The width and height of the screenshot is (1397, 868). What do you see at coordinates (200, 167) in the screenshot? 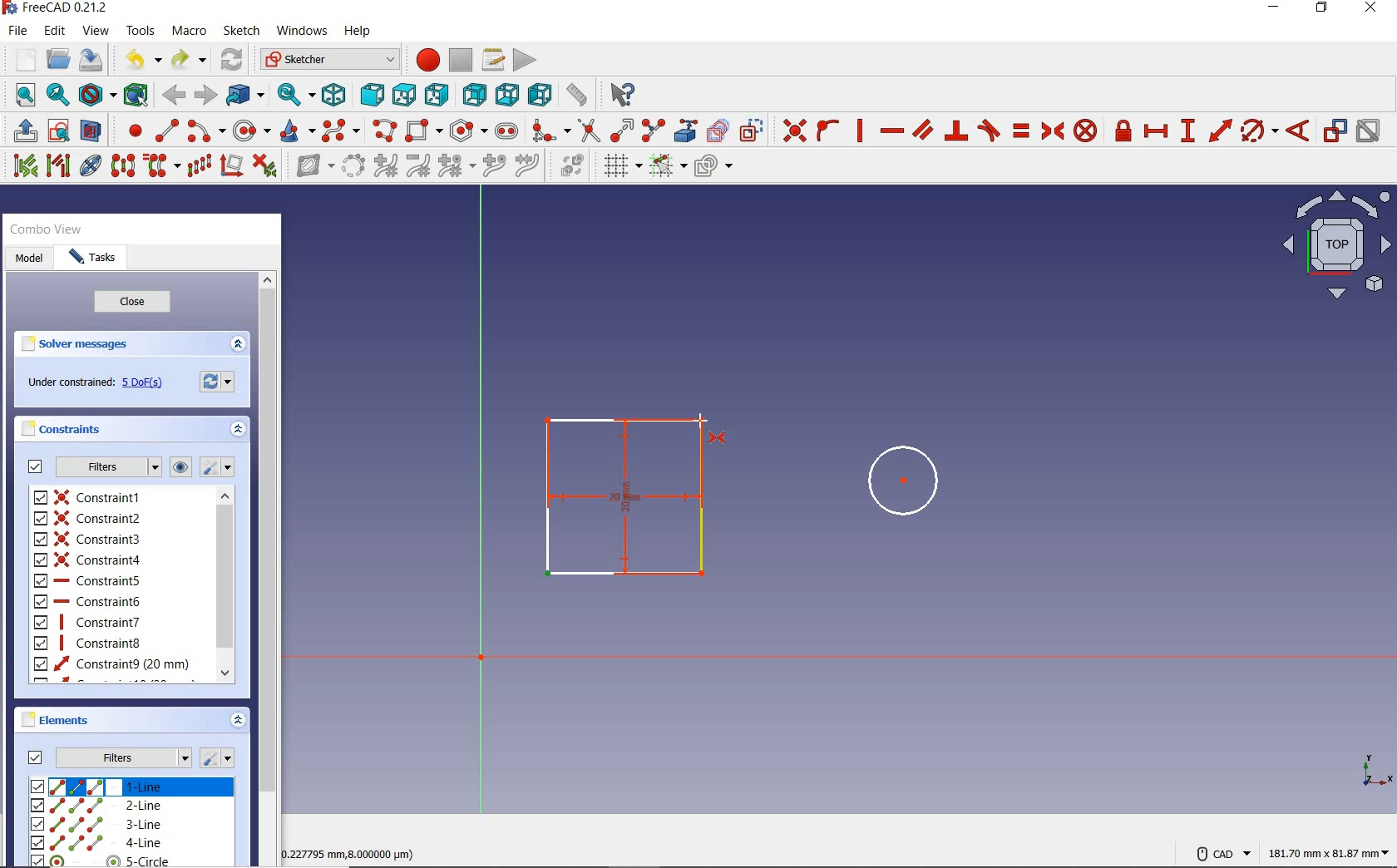
I see `rectangular array` at bounding box center [200, 167].